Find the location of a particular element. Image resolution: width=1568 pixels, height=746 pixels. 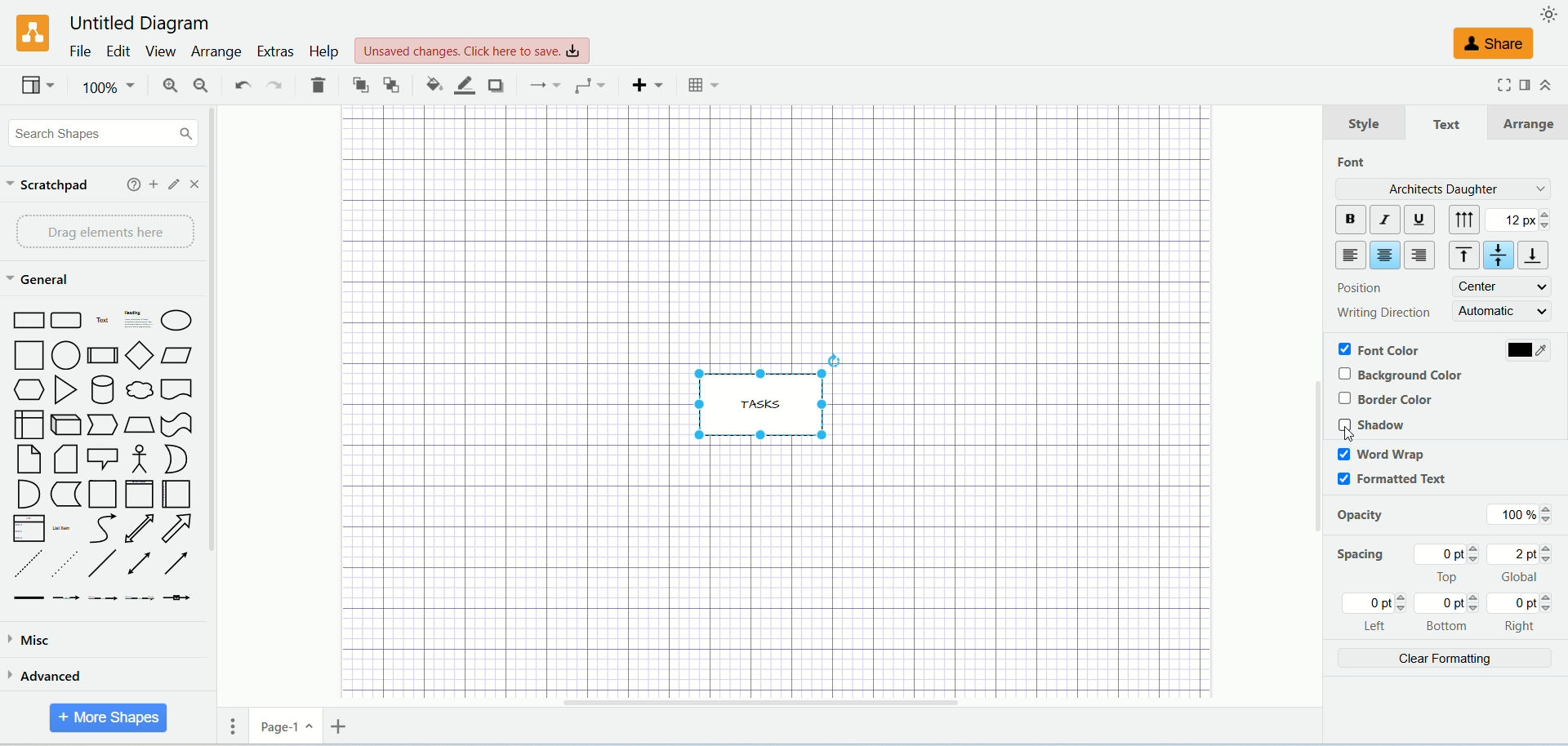

word wrap is located at coordinates (1381, 454).